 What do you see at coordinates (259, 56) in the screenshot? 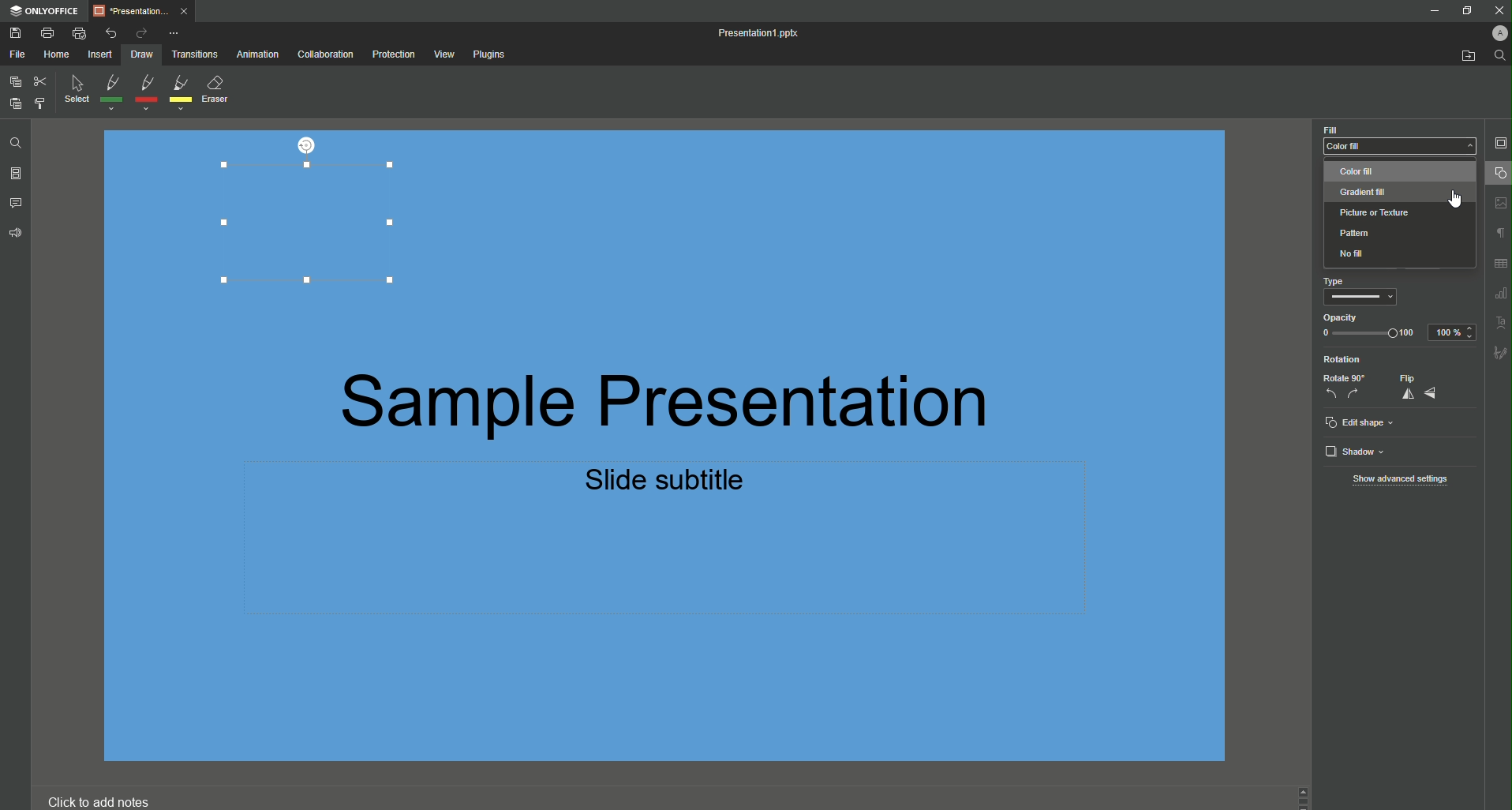
I see `Animation` at bounding box center [259, 56].